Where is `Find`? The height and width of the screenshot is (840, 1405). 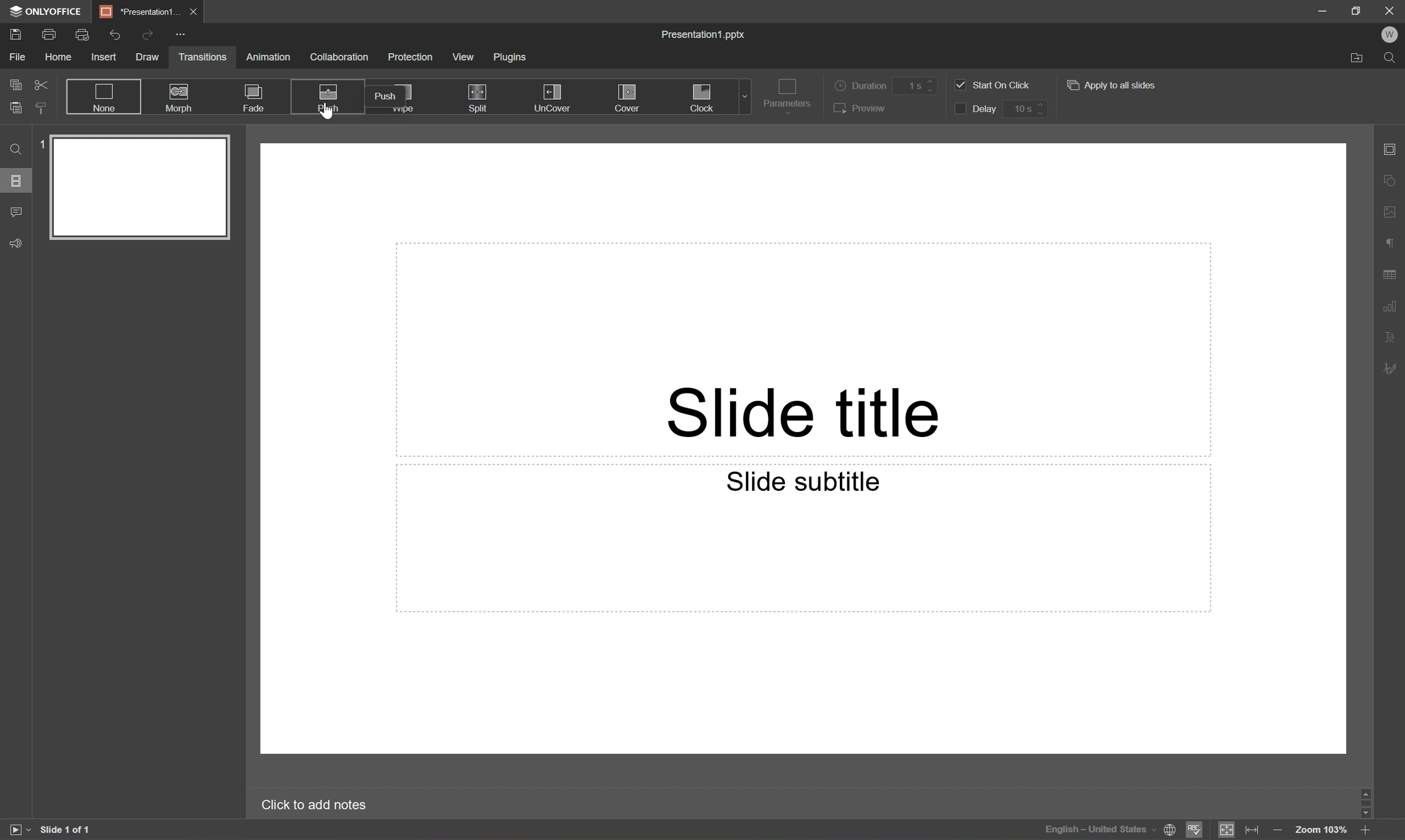
Find is located at coordinates (1392, 58).